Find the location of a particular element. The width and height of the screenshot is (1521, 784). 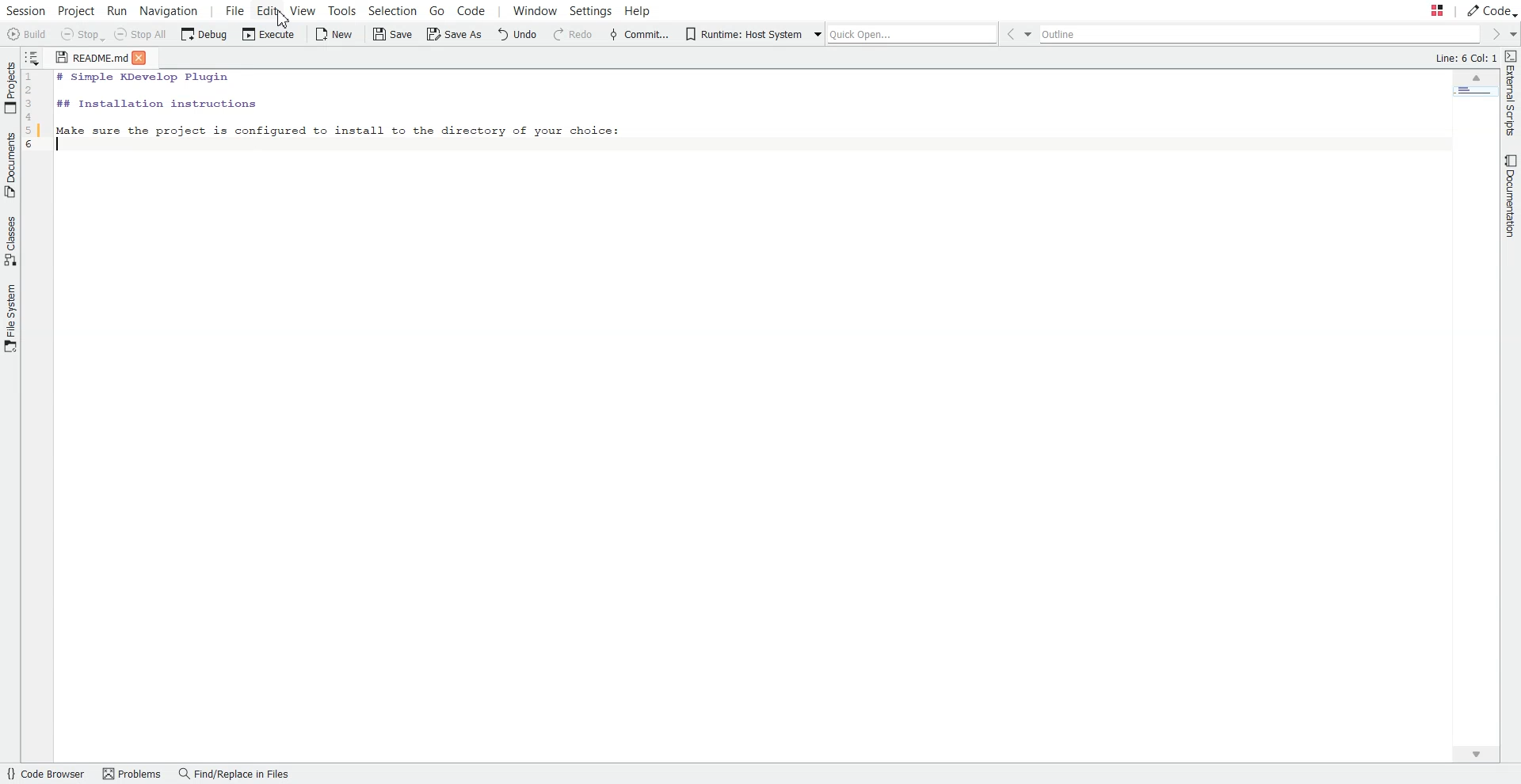

Code is located at coordinates (1491, 10).